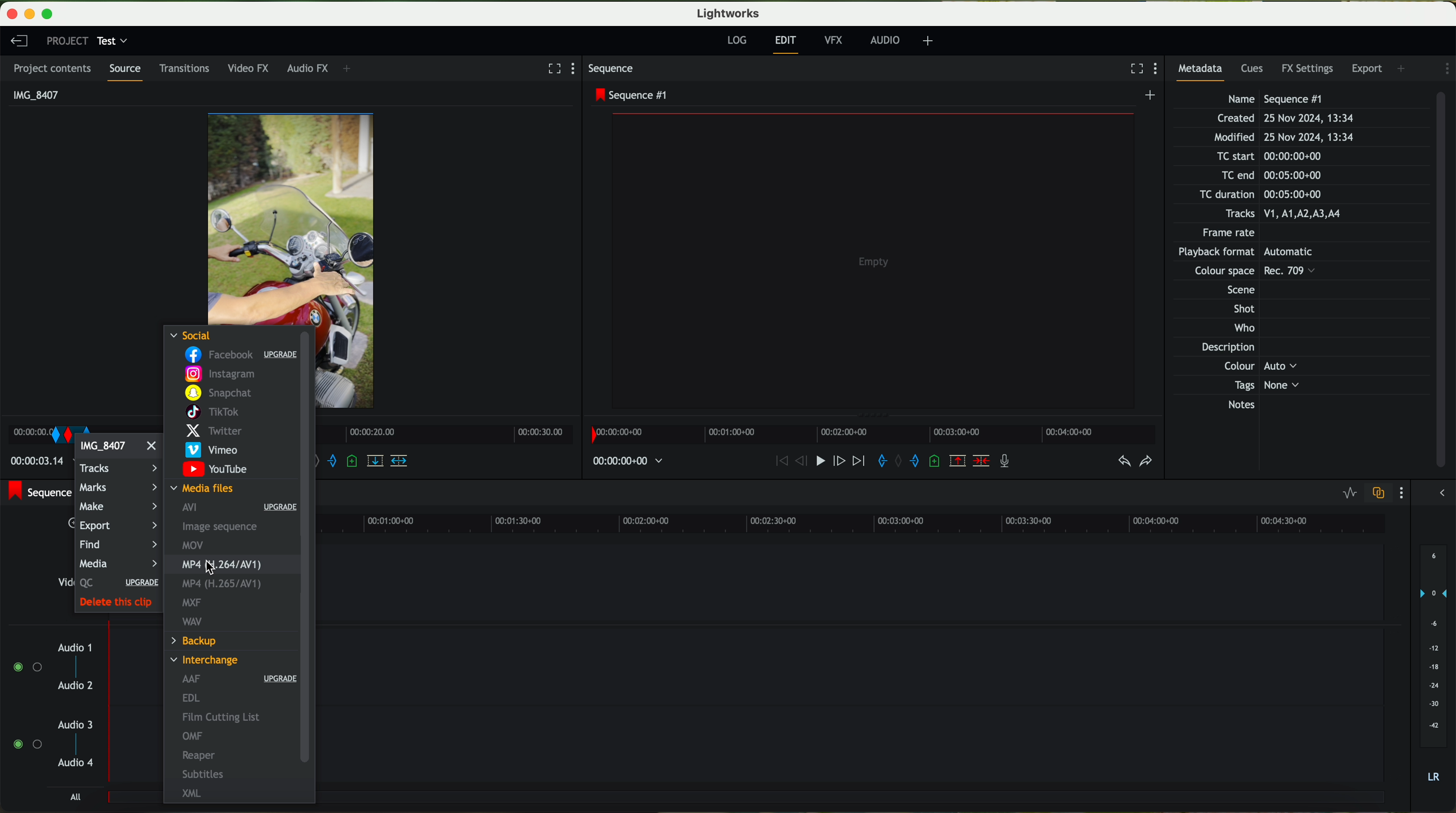  What do you see at coordinates (120, 449) in the screenshot?
I see `IMG_8407` at bounding box center [120, 449].